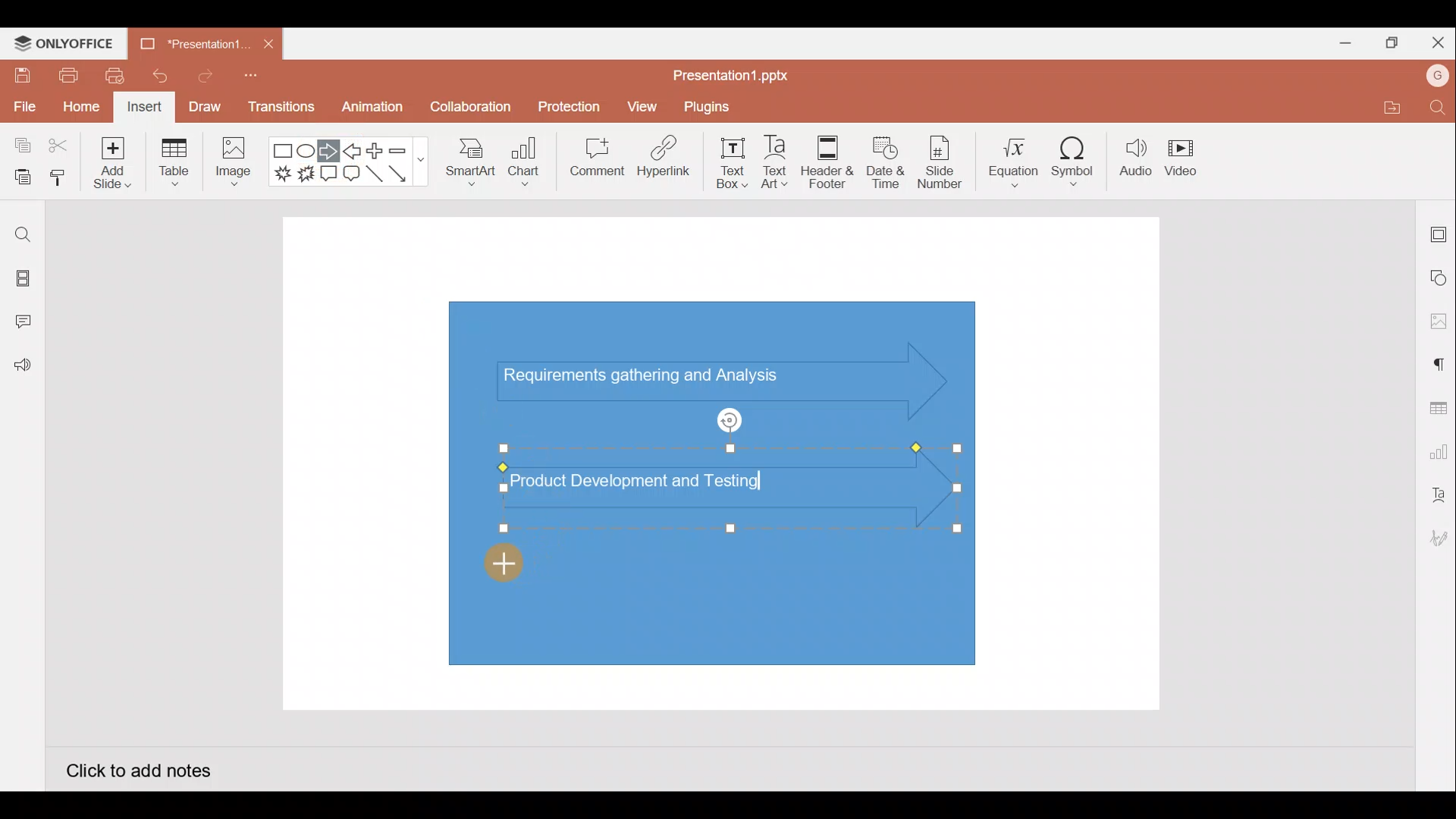  I want to click on Animation, so click(374, 111).